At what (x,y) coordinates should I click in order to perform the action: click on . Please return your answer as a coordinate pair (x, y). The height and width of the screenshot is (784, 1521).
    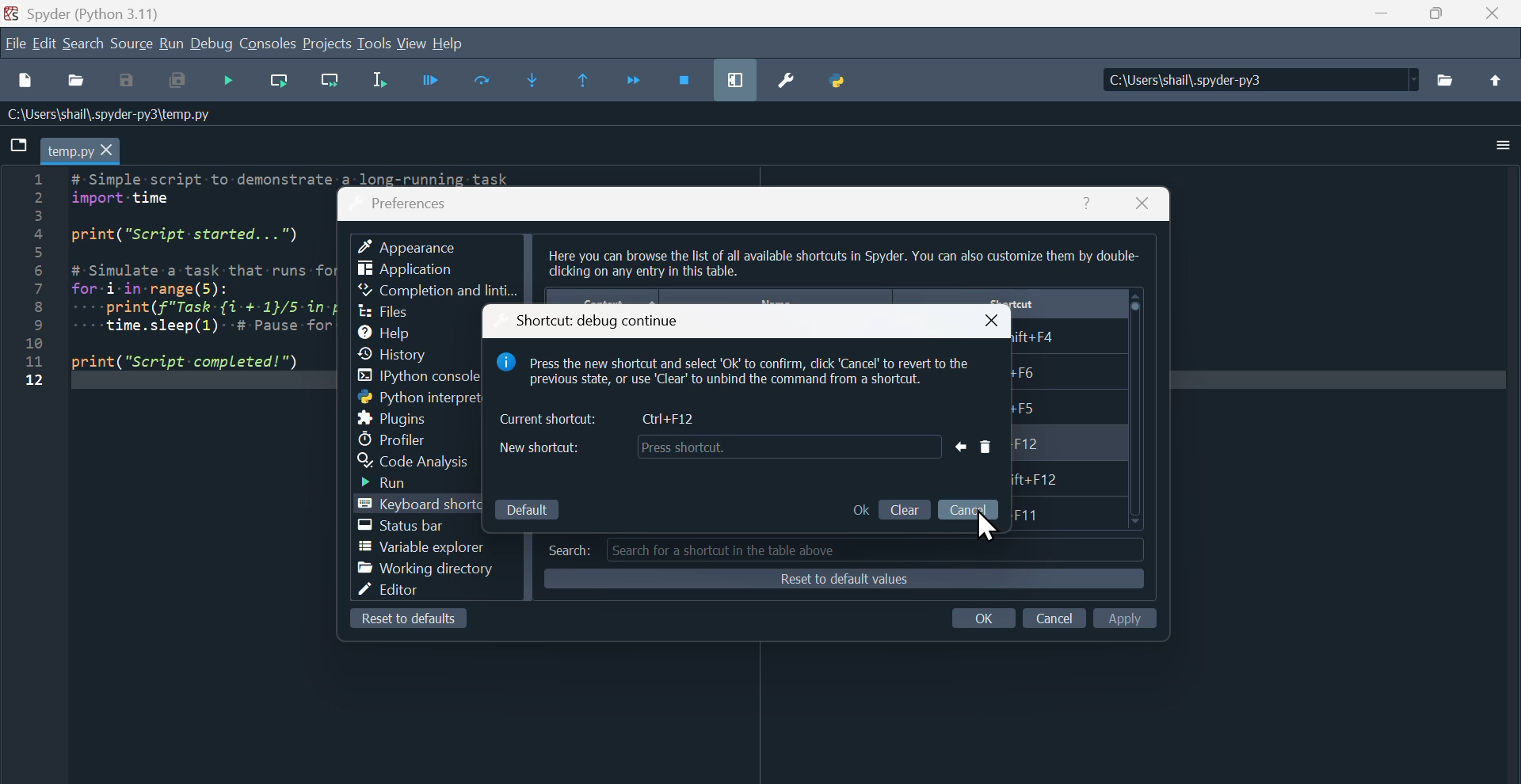
    Looking at the image, I should click on (126, 86).